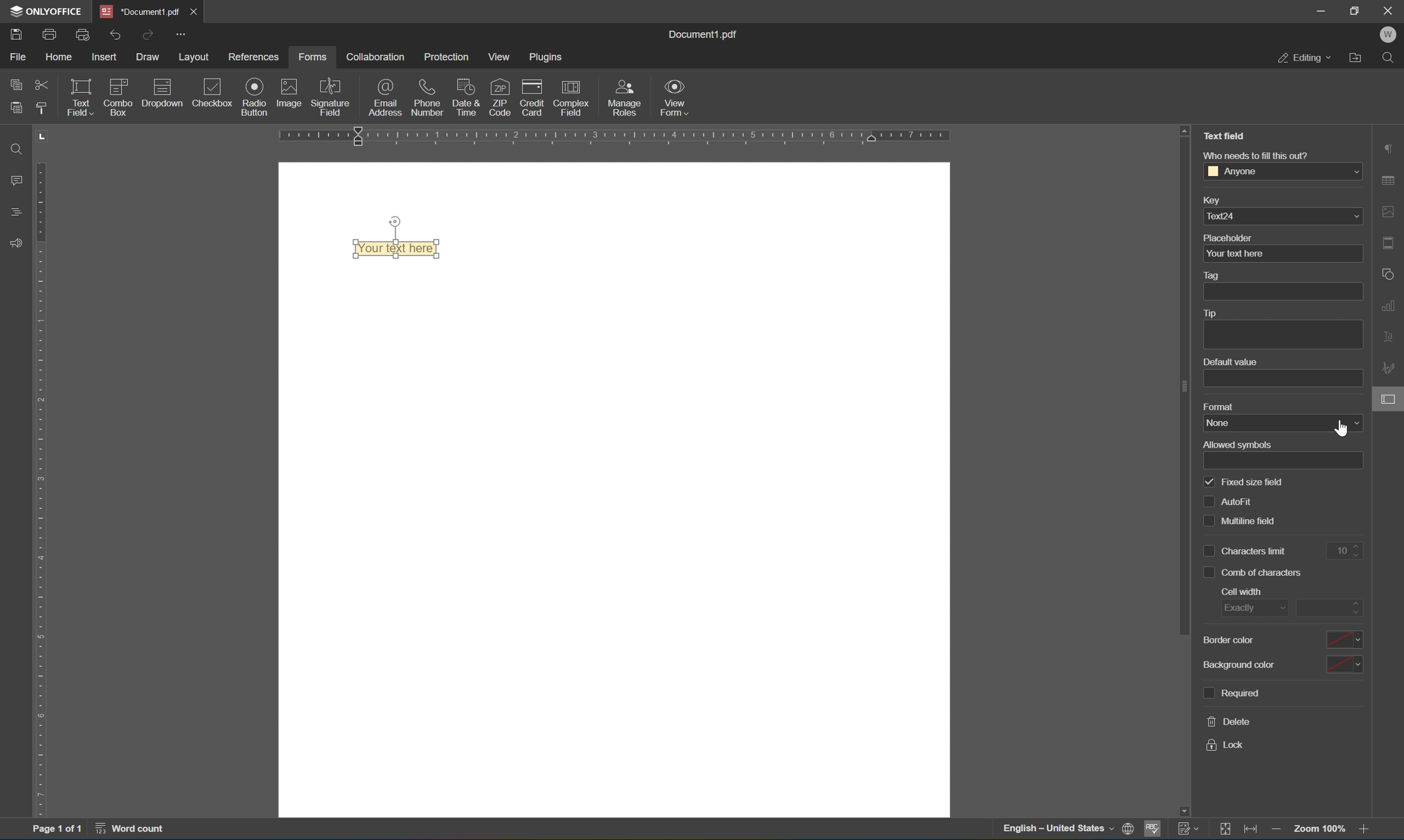 This screenshot has height=840, width=1404. Describe the element at coordinates (627, 98) in the screenshot. I see `manage roles` at that location.